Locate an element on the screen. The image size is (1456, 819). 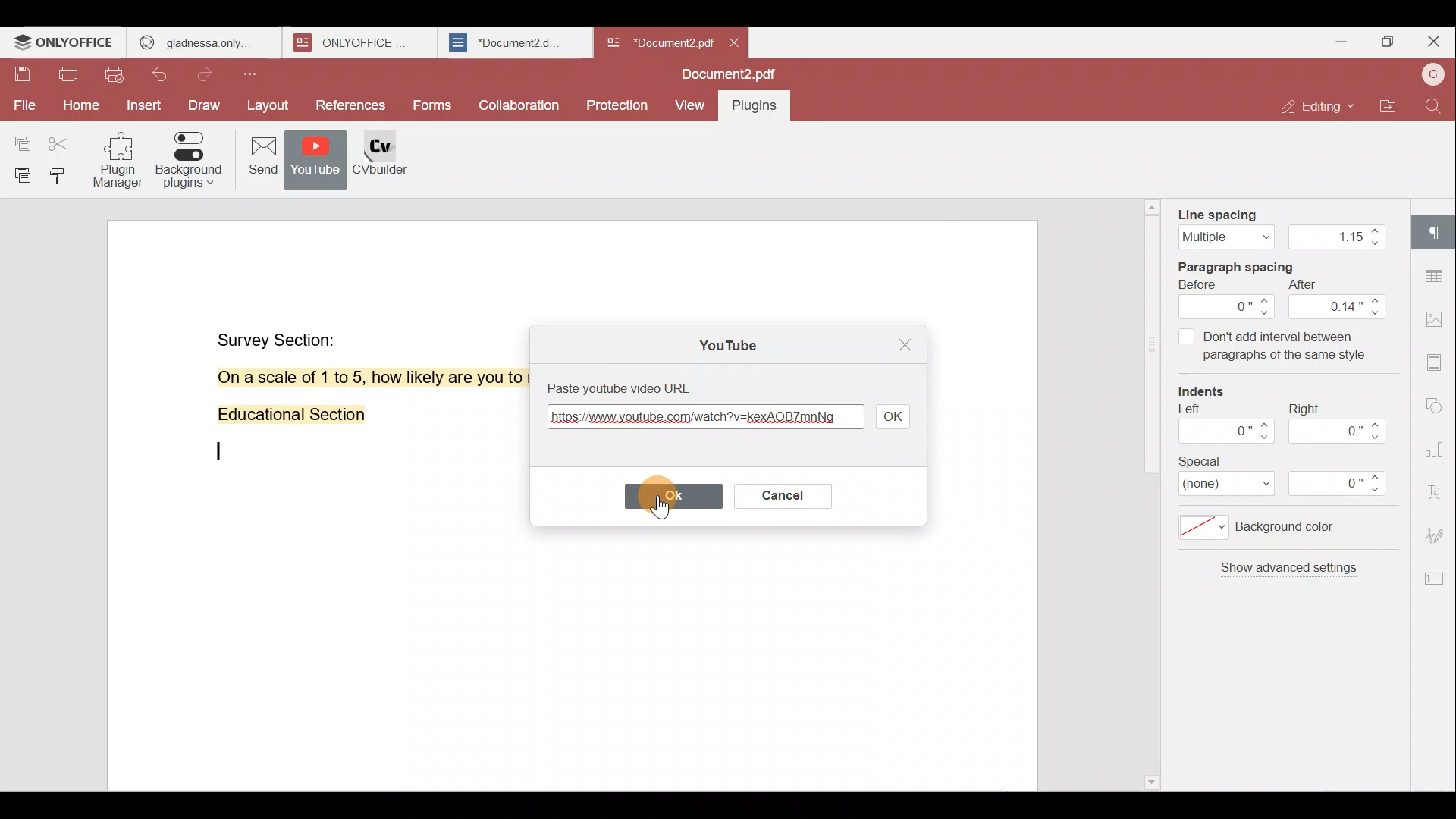
Cursor is located at coordinates (661, 496).